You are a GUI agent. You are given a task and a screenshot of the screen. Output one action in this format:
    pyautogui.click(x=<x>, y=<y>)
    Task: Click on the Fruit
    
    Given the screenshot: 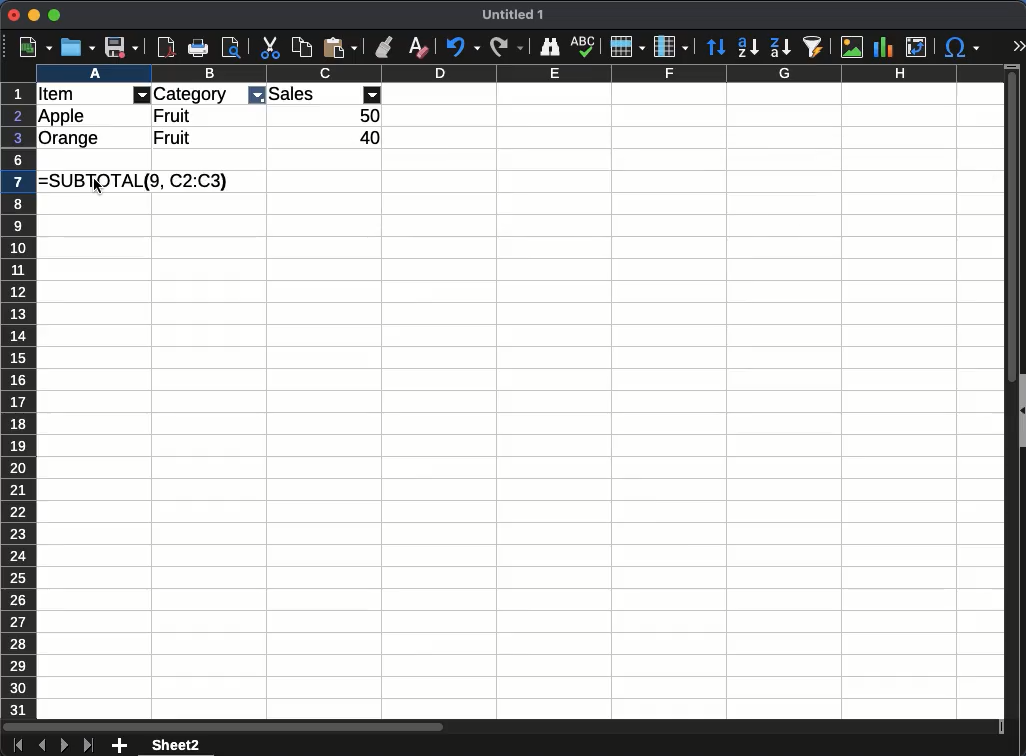 What is the action you would take?
    pyautogui.click(x=171, y=137)
    